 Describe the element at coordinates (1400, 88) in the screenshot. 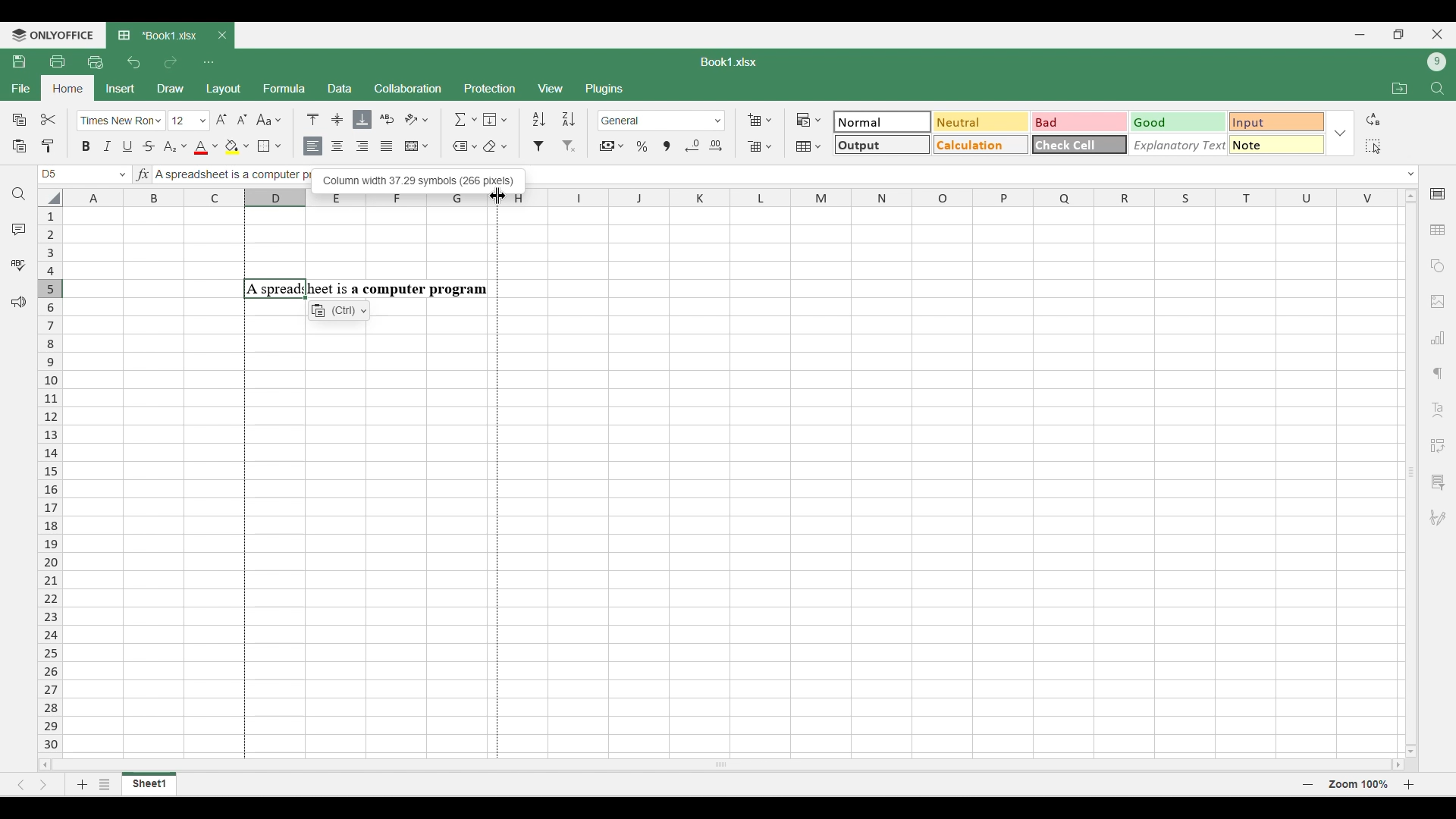

I see `Open file location` at that location.